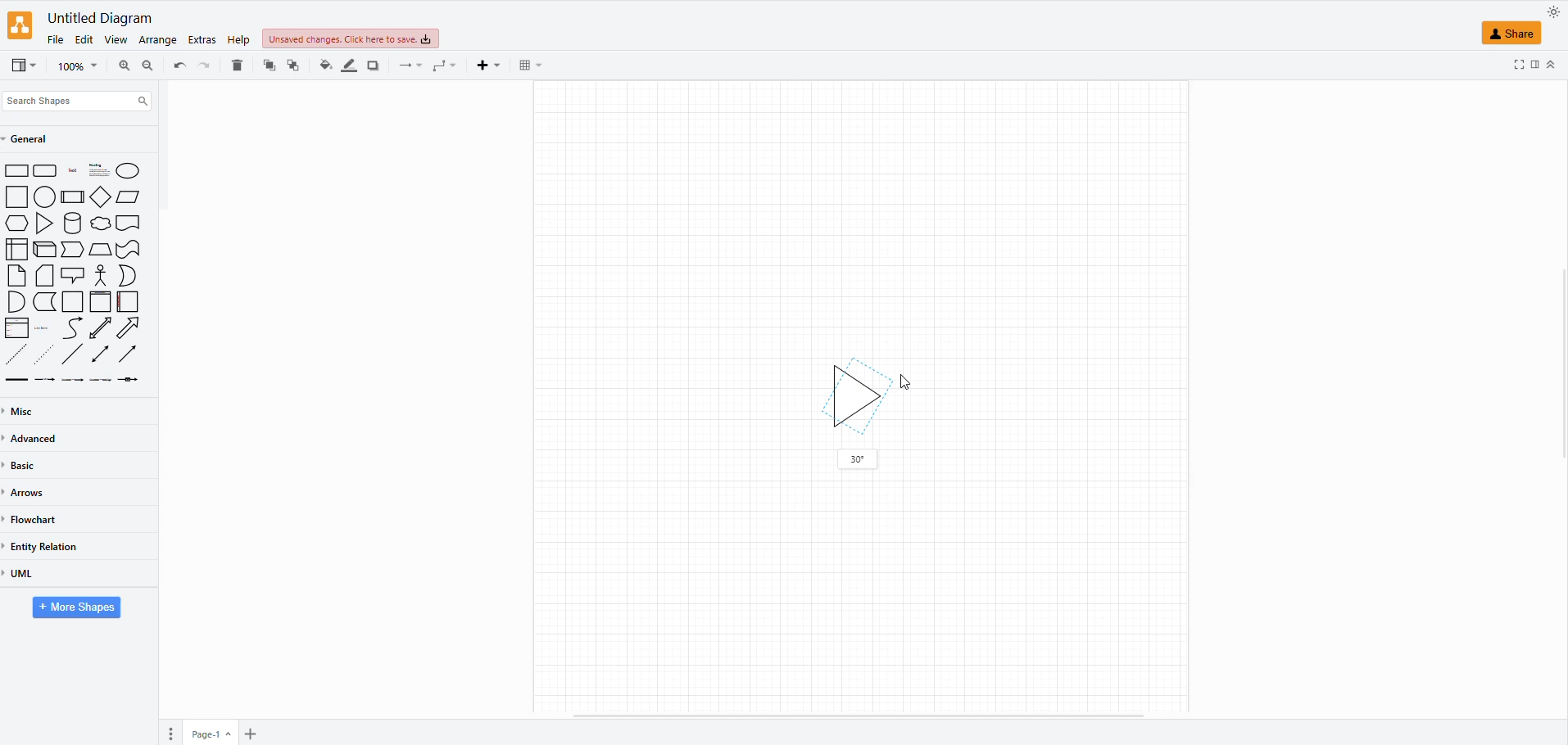  I want to click on cursor, so click(903, 382).